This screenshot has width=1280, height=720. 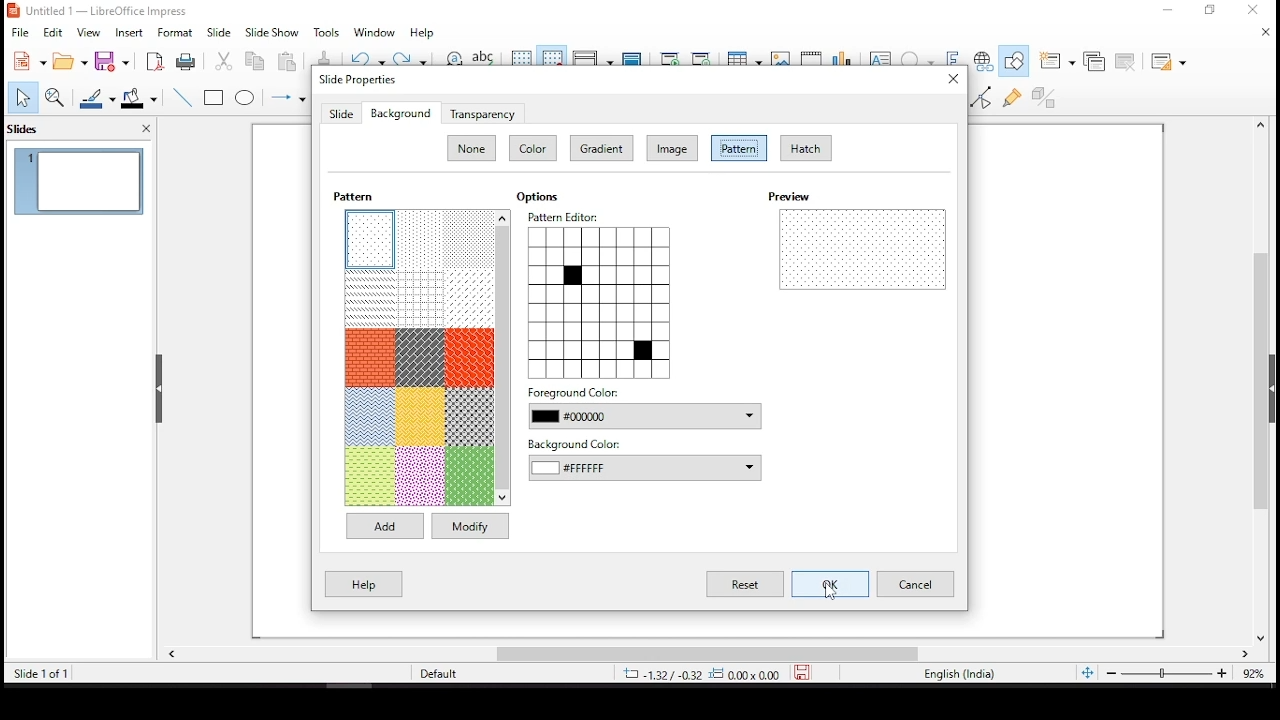 I want to click on lines and arrows, so click(x=287, y=96).